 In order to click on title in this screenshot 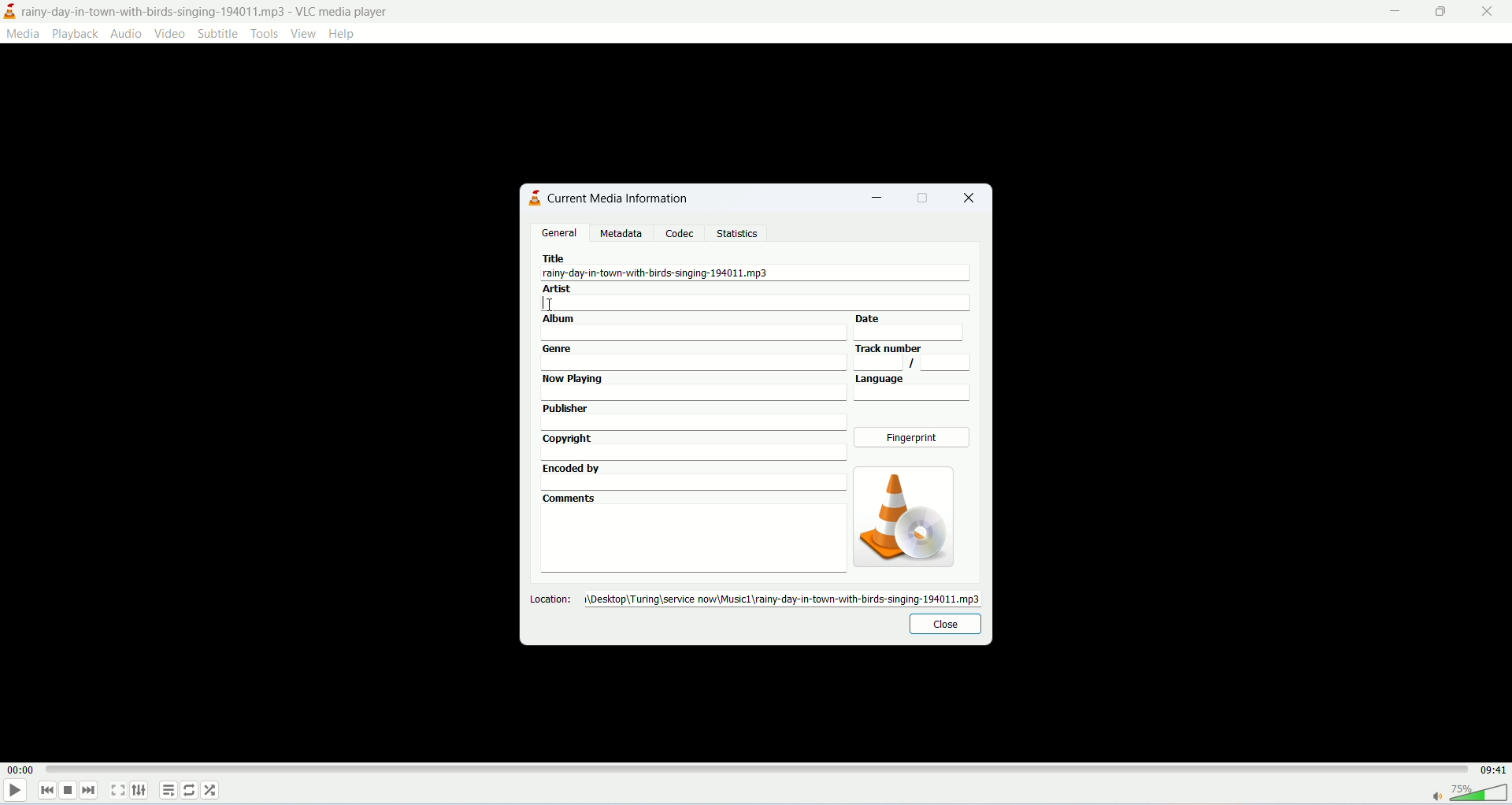, I will do `click(210, 11)`.